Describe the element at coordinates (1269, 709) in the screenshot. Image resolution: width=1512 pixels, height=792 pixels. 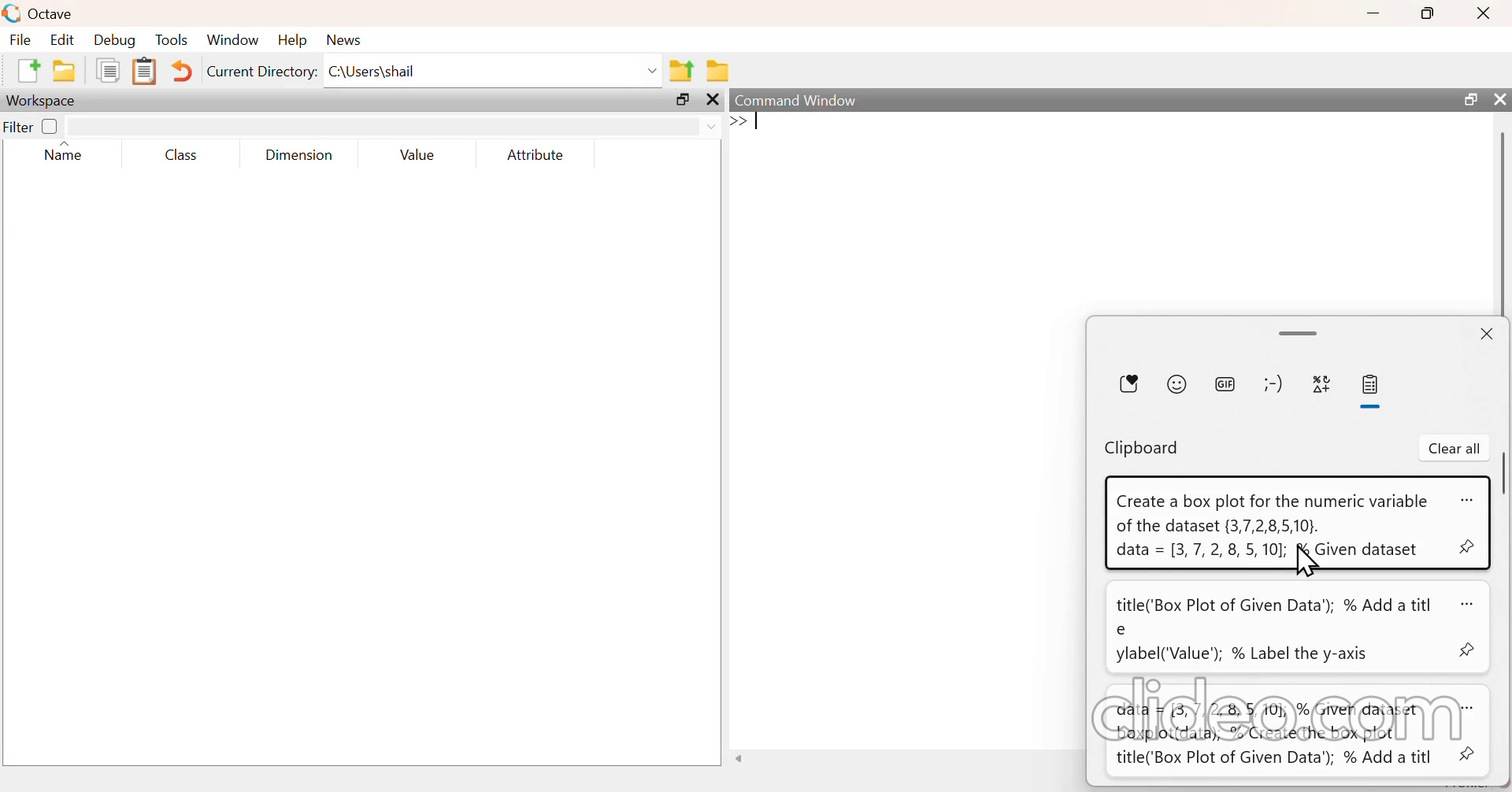
I see `clideo.com` at that location.